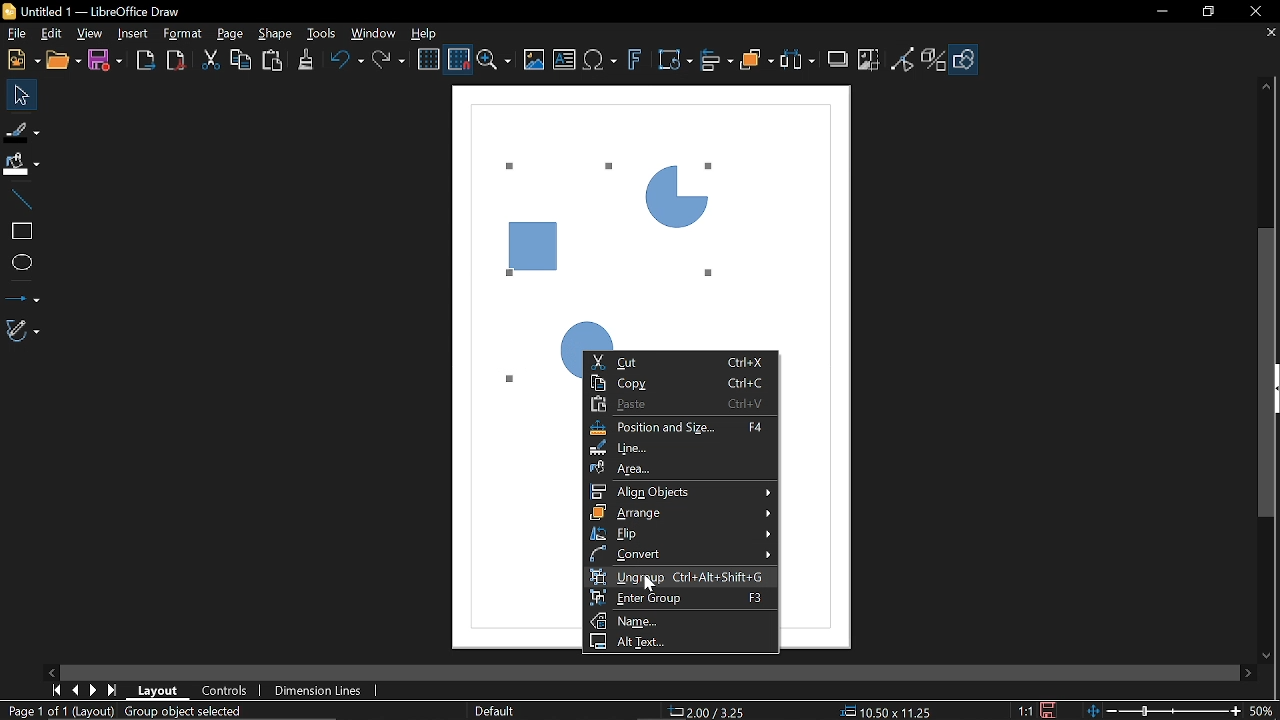  I want to click on Clone, so click(306, 61).